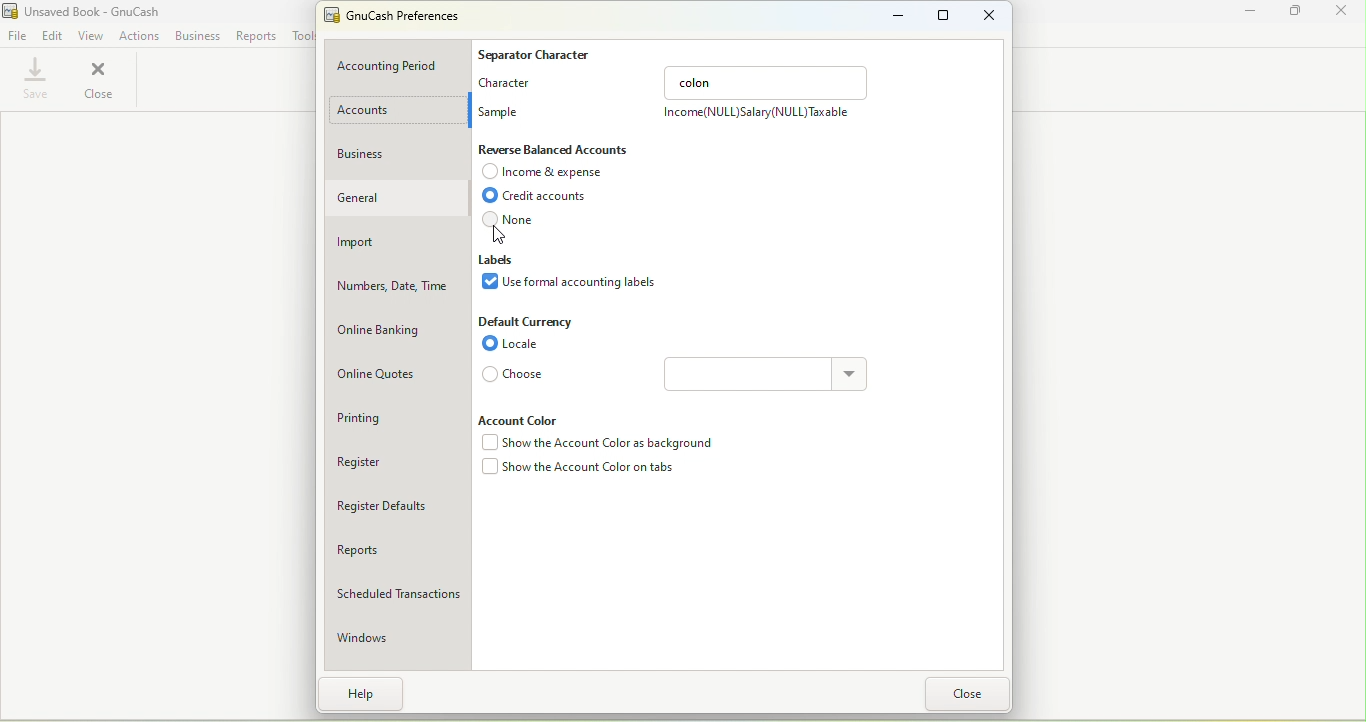 This screenshot has width=1366, height=722. Describe the element at coordinates (1301, 15) in the screenshot. I see `Maximize` at that location.